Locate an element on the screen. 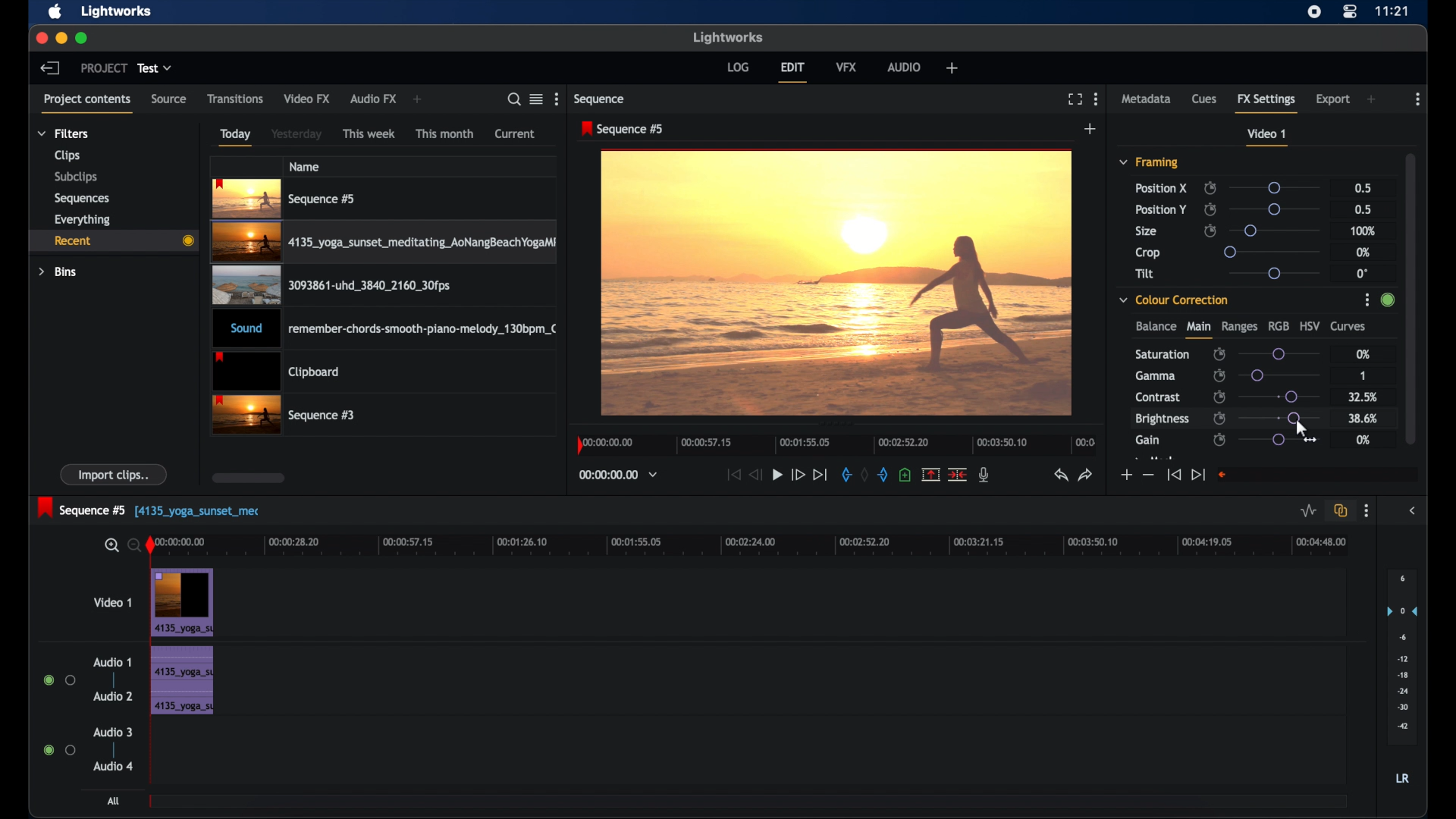  video preview is located at coordinates (836, 284).